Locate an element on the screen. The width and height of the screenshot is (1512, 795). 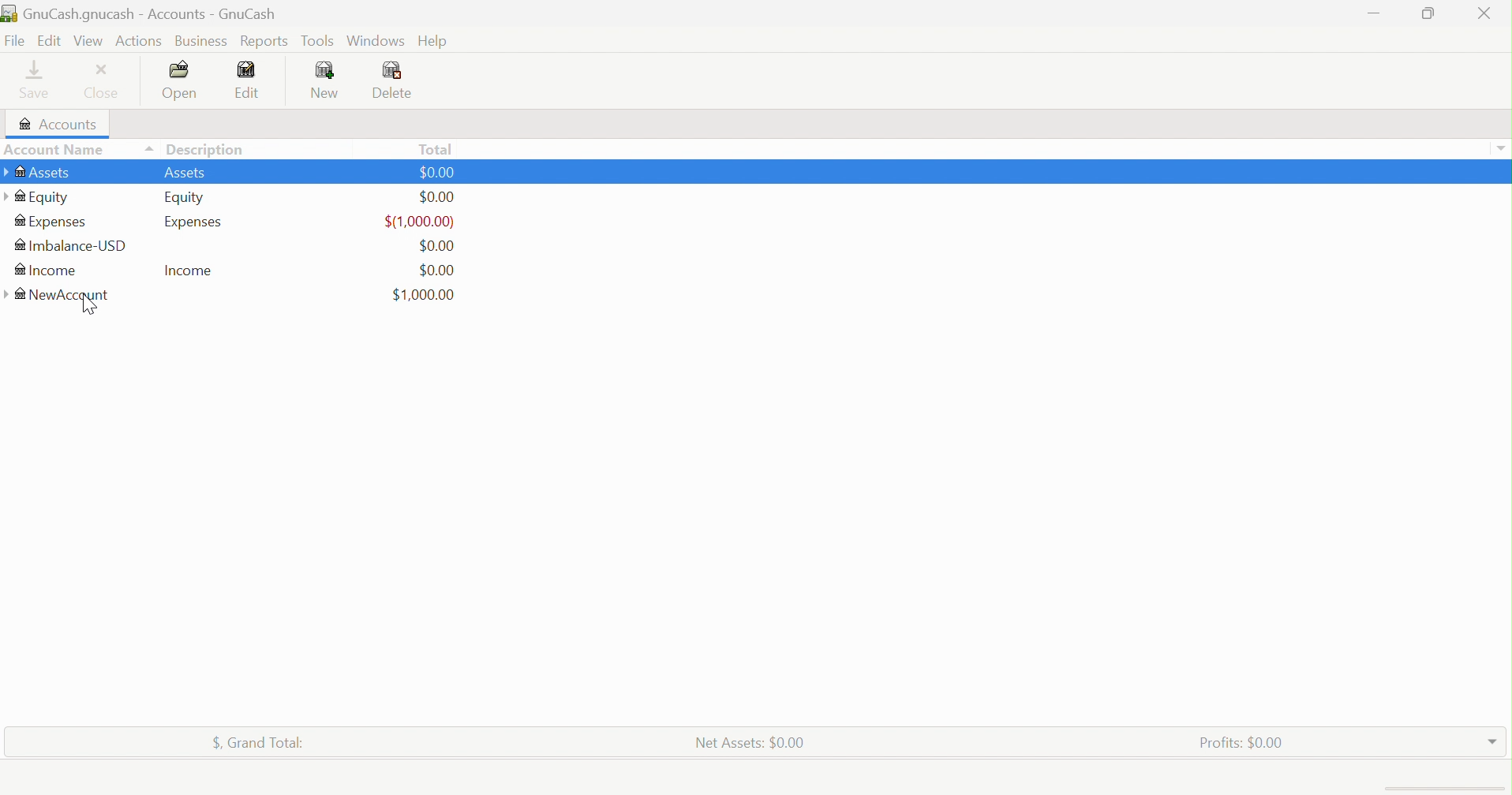
$0.00 is located at coordinates (439, 245).